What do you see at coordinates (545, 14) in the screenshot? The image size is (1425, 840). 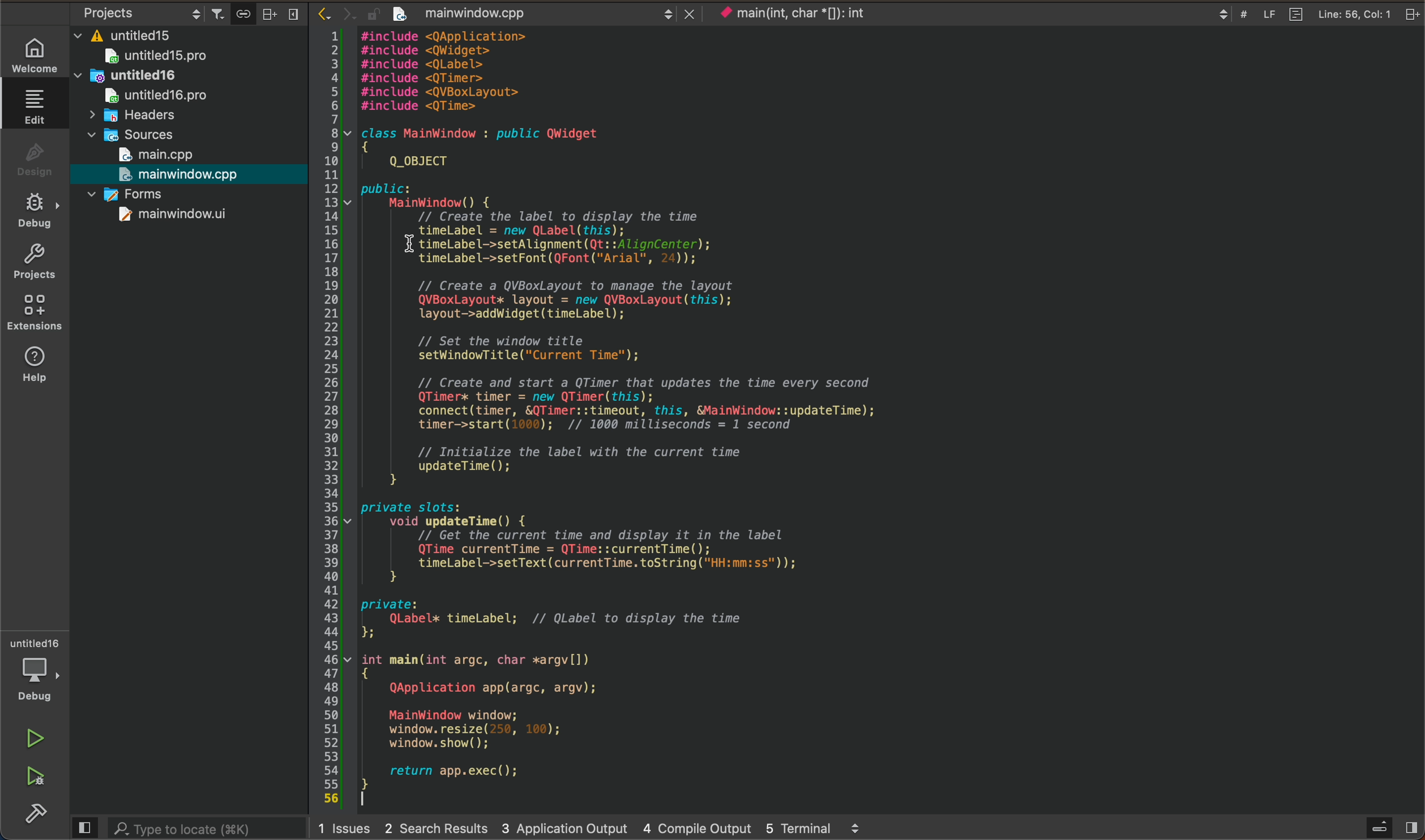 I see `mainwindow.cpp` at bounding box center [545, 14].